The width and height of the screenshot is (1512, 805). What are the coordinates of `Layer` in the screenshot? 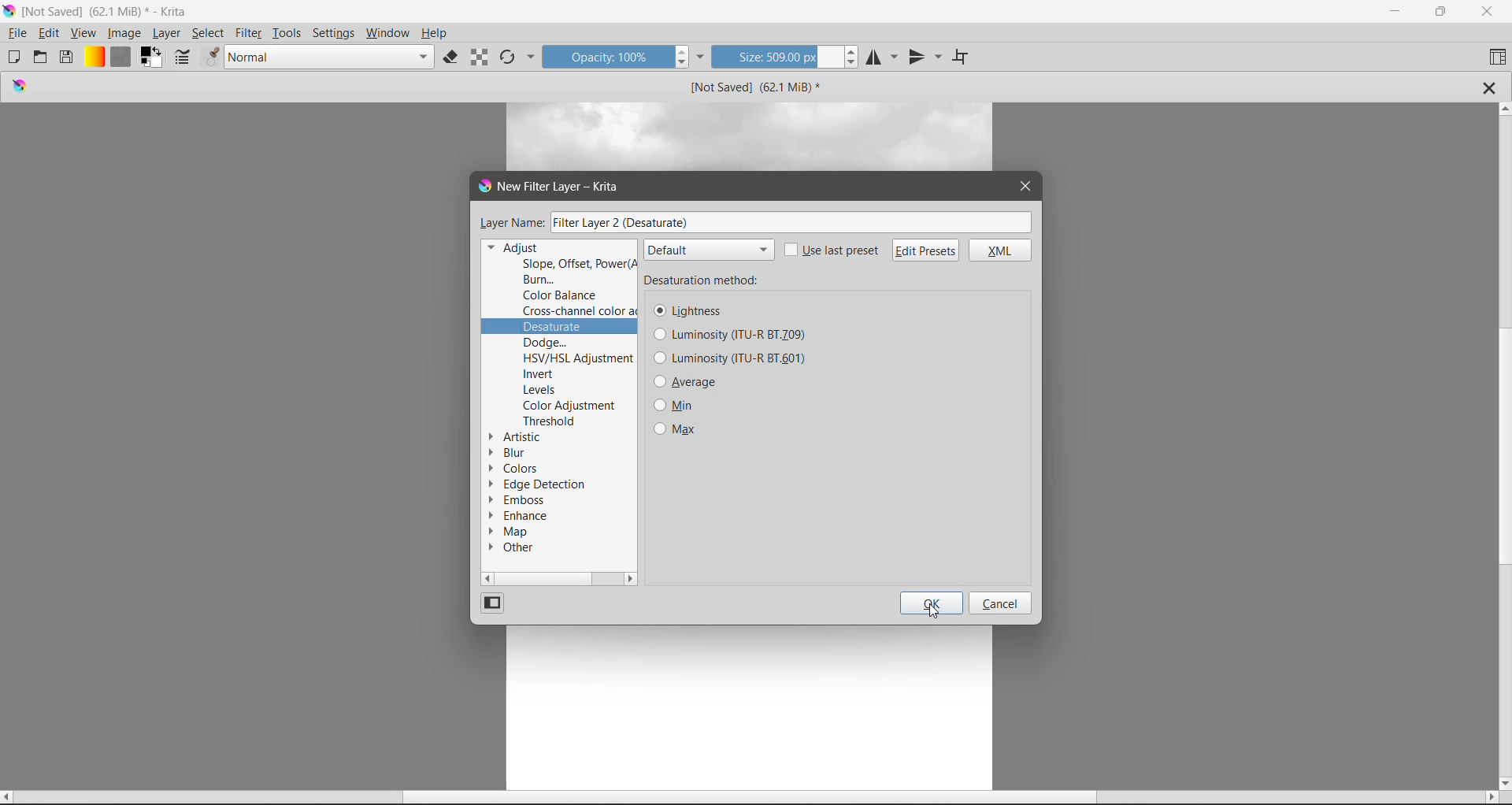 It's located at (169, 33).